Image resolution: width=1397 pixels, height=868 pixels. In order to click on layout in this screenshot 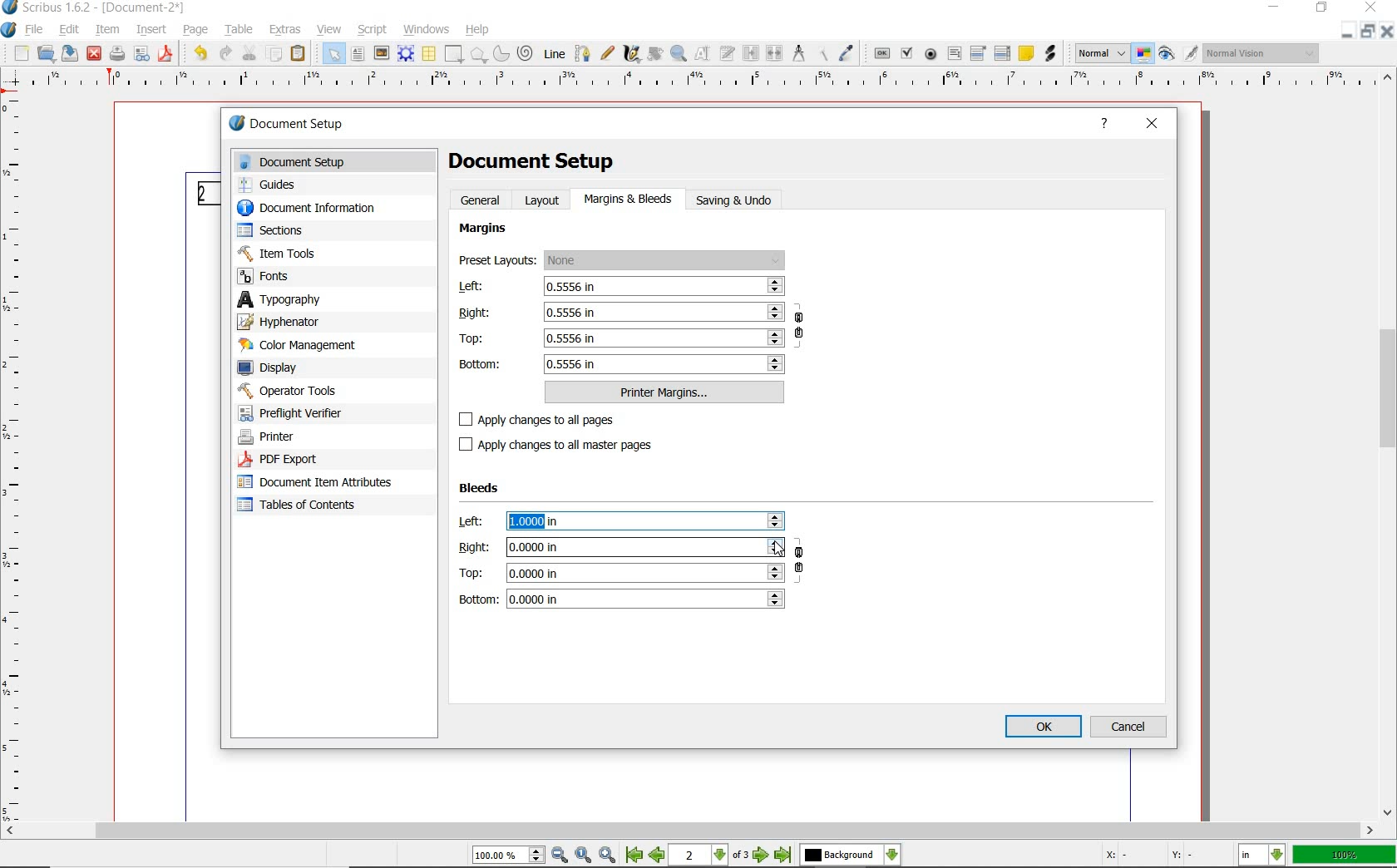, I will do `click(545, 200)`.